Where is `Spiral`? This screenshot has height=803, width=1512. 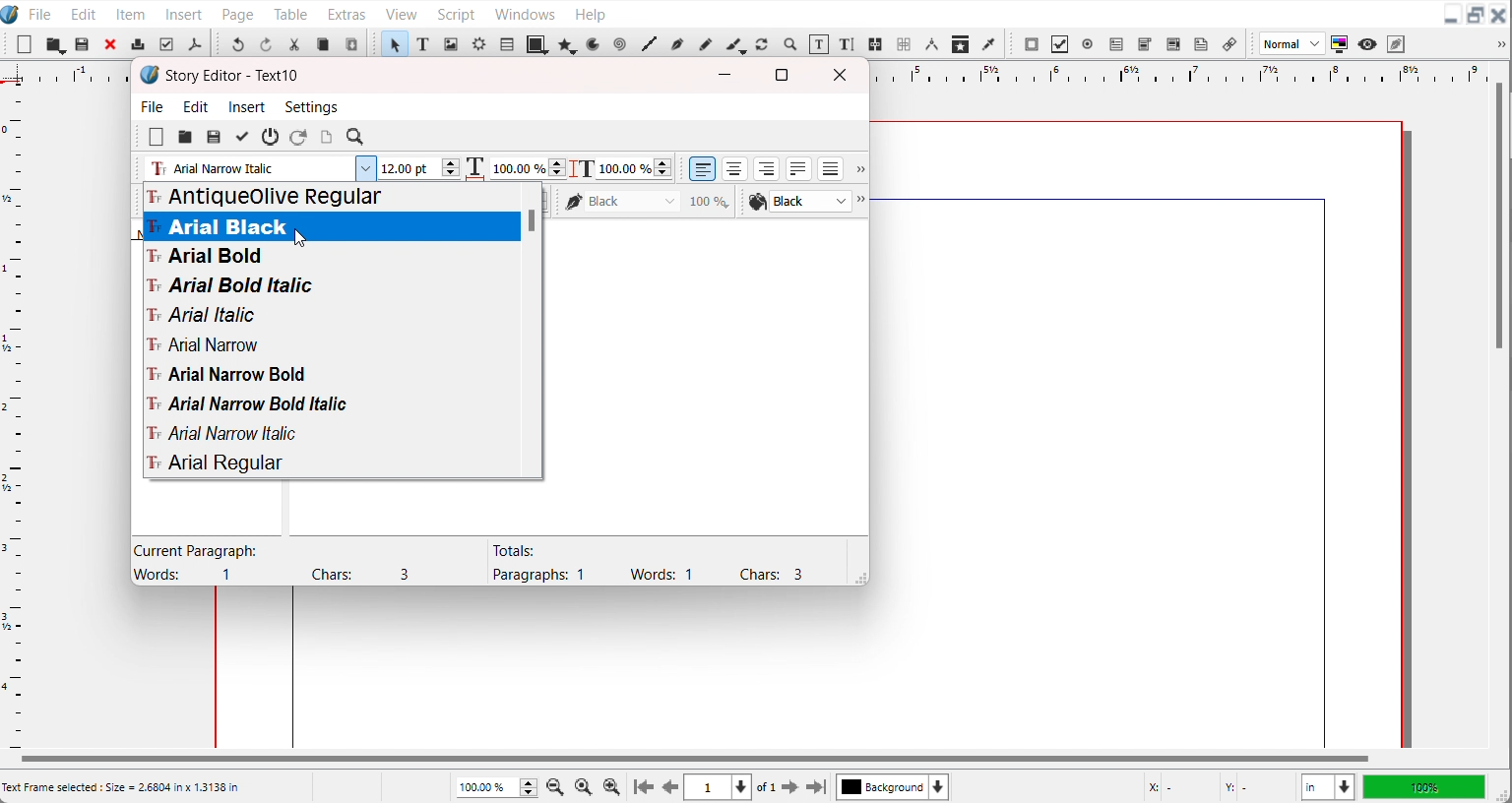
Spiral is located at coordinates (618, 44).